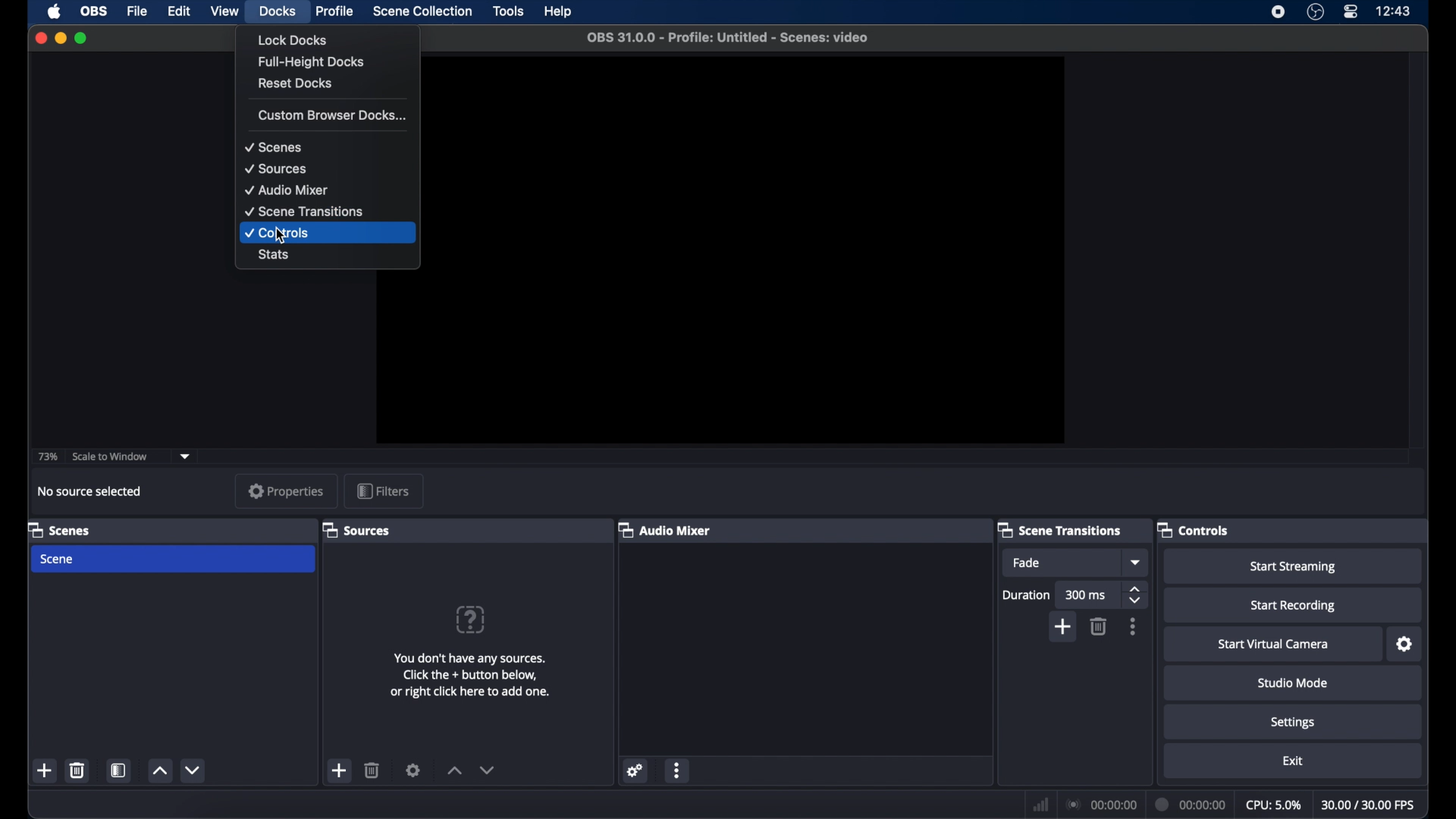 Image resolution: width=1456 pixels, height=819 pixels. What do you see at coordinates (1369, 805) in the screenshot?
I see `fps` at bounding box center [1369, 805].